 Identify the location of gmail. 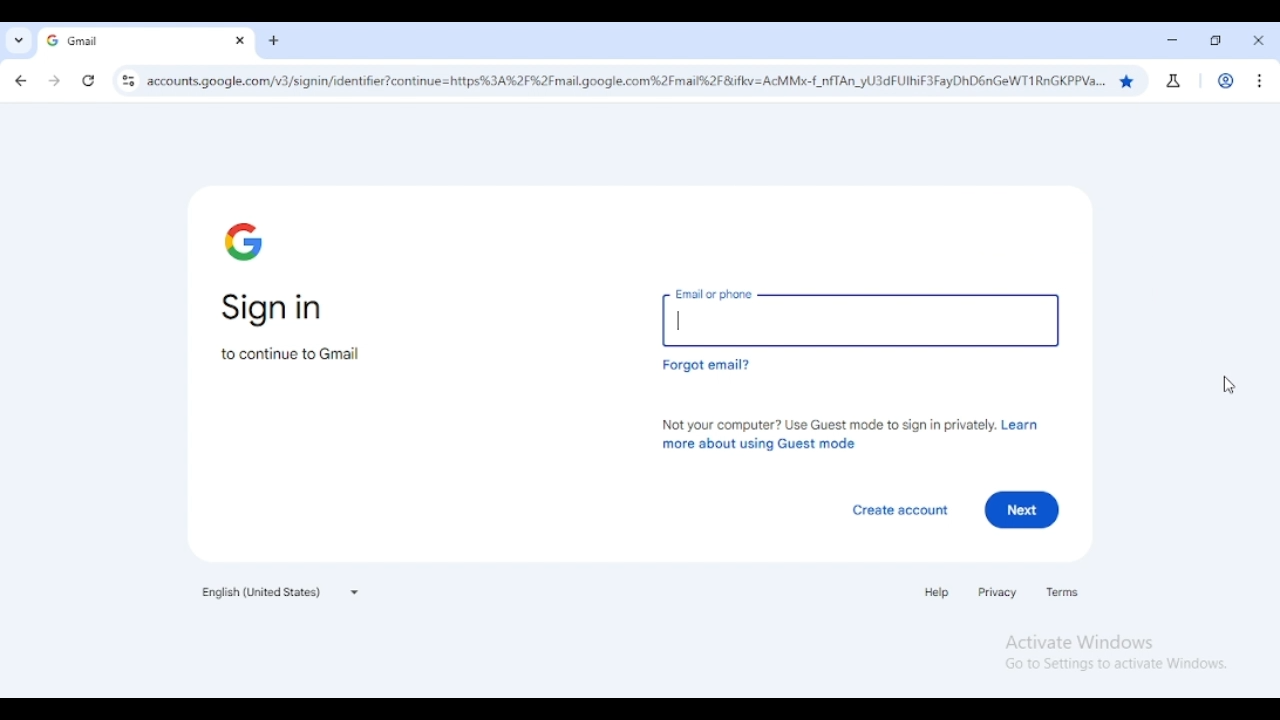
(126, 41).